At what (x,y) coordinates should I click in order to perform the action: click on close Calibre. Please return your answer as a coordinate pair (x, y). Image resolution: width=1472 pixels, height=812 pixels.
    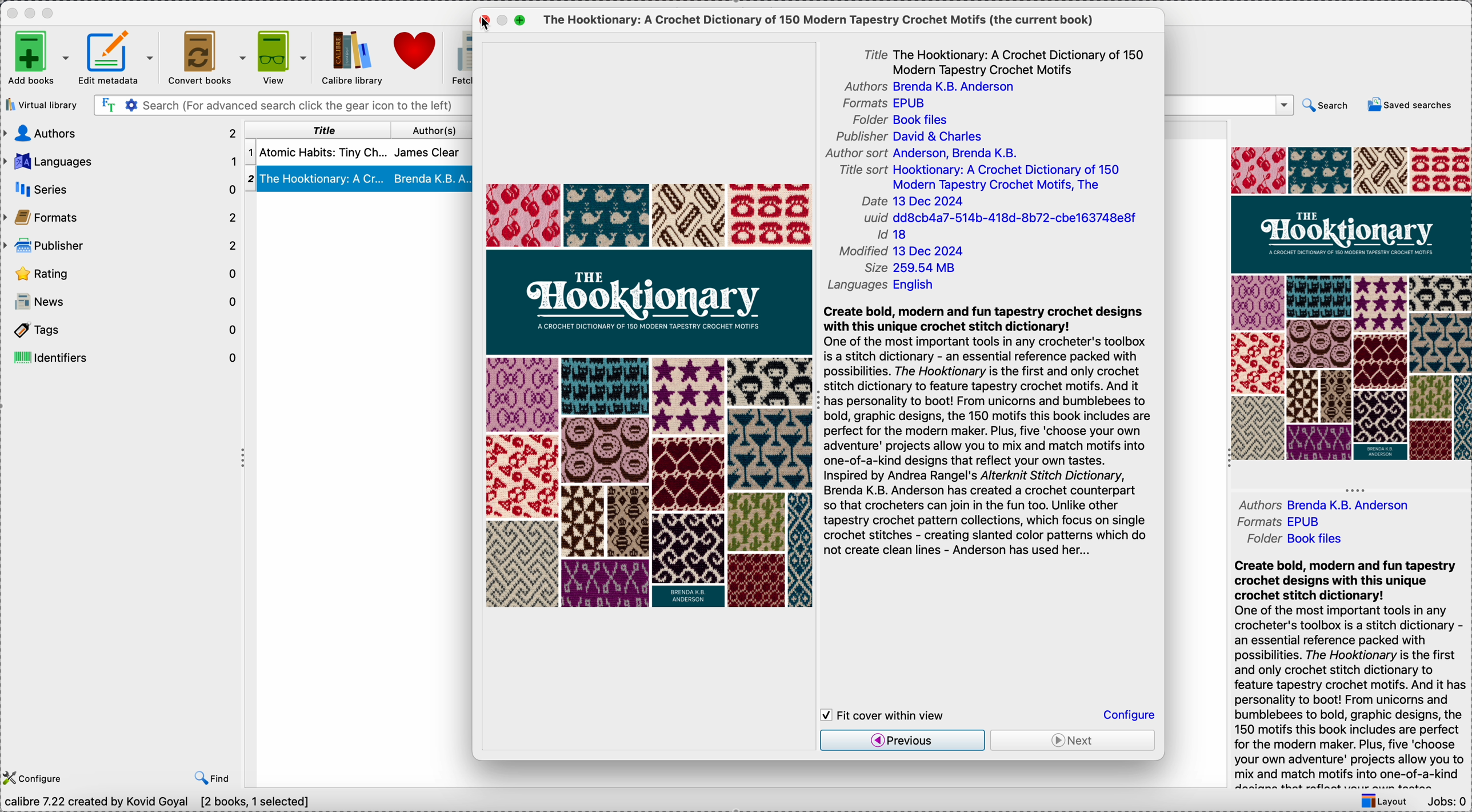
    Looking at the image, I should click on (11, 11).